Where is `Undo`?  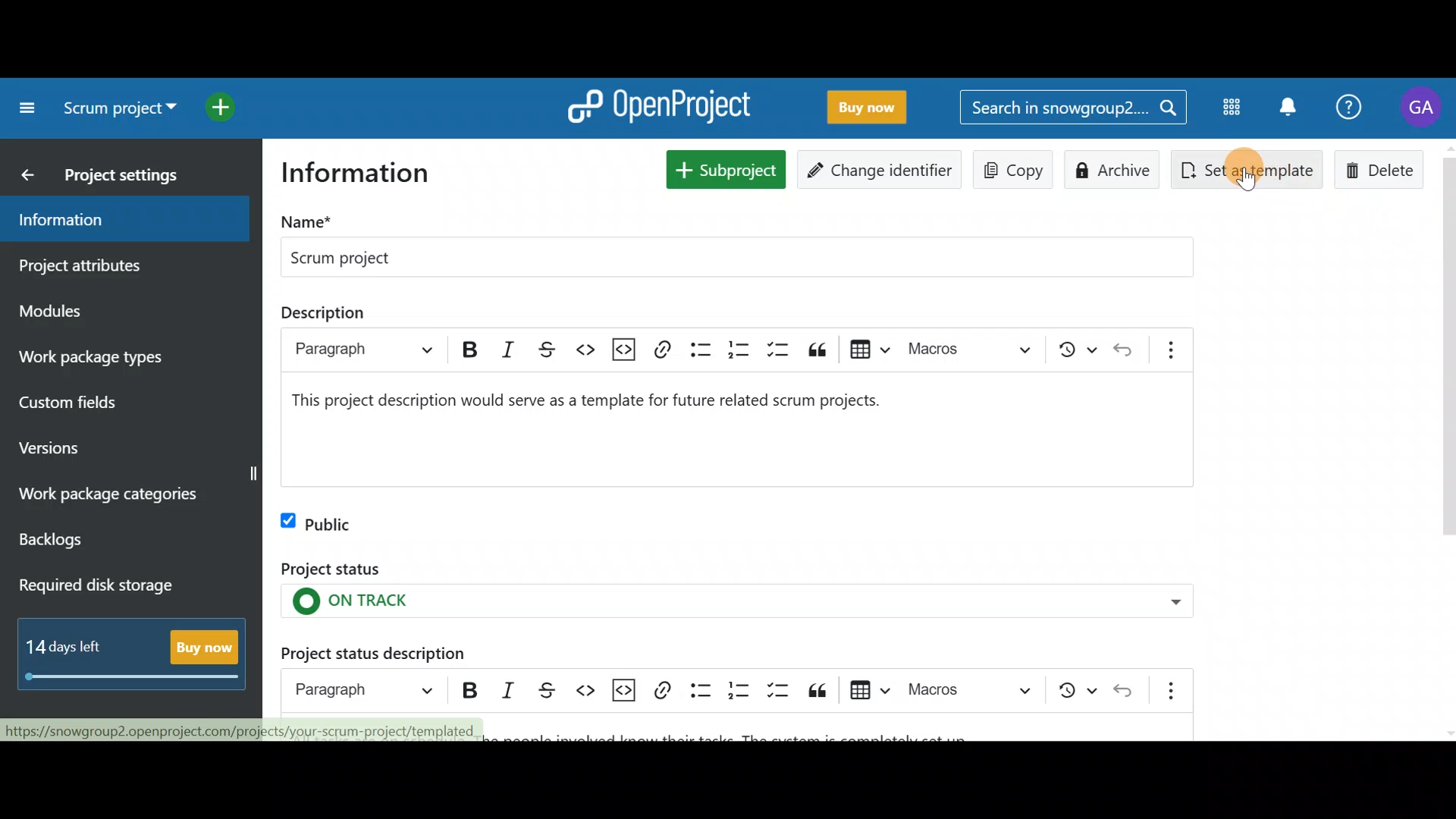 Undo is located at coordinates (1124, 689).